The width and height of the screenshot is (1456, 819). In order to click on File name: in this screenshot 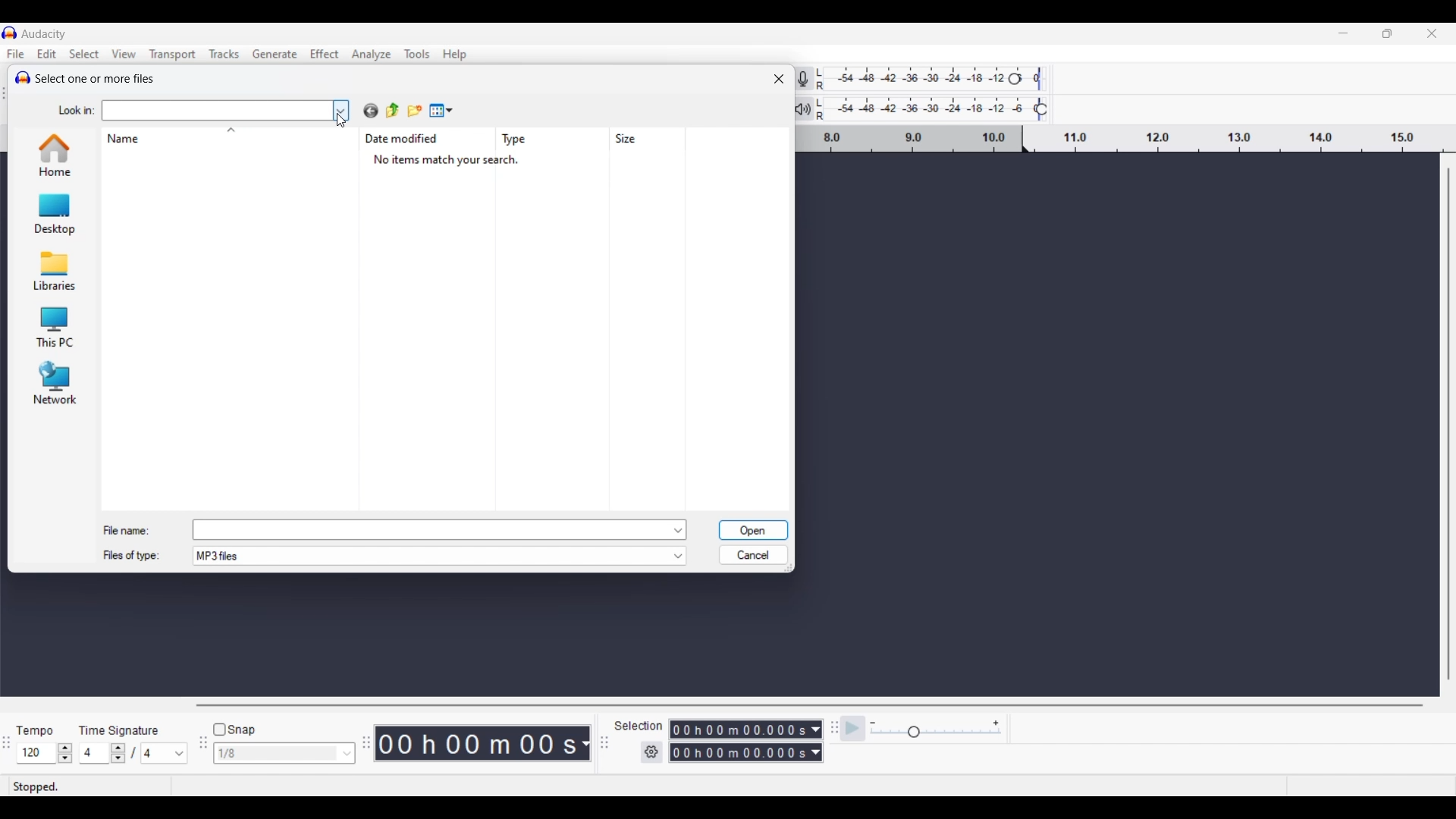, I will do `click(127, 527)`.